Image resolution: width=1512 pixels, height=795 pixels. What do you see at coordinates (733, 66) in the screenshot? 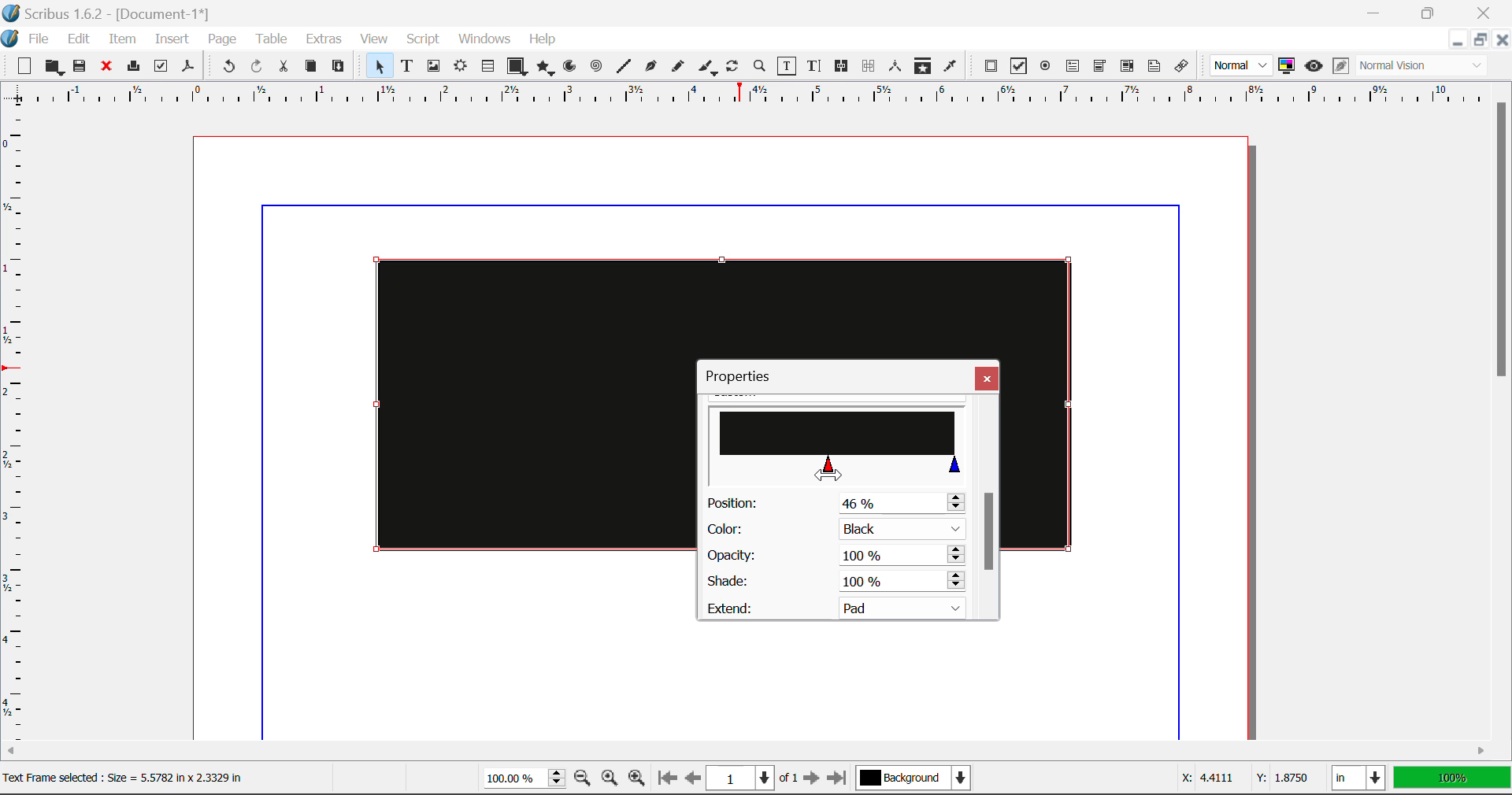
I see `Rotate` at bounding box center [733, 66].